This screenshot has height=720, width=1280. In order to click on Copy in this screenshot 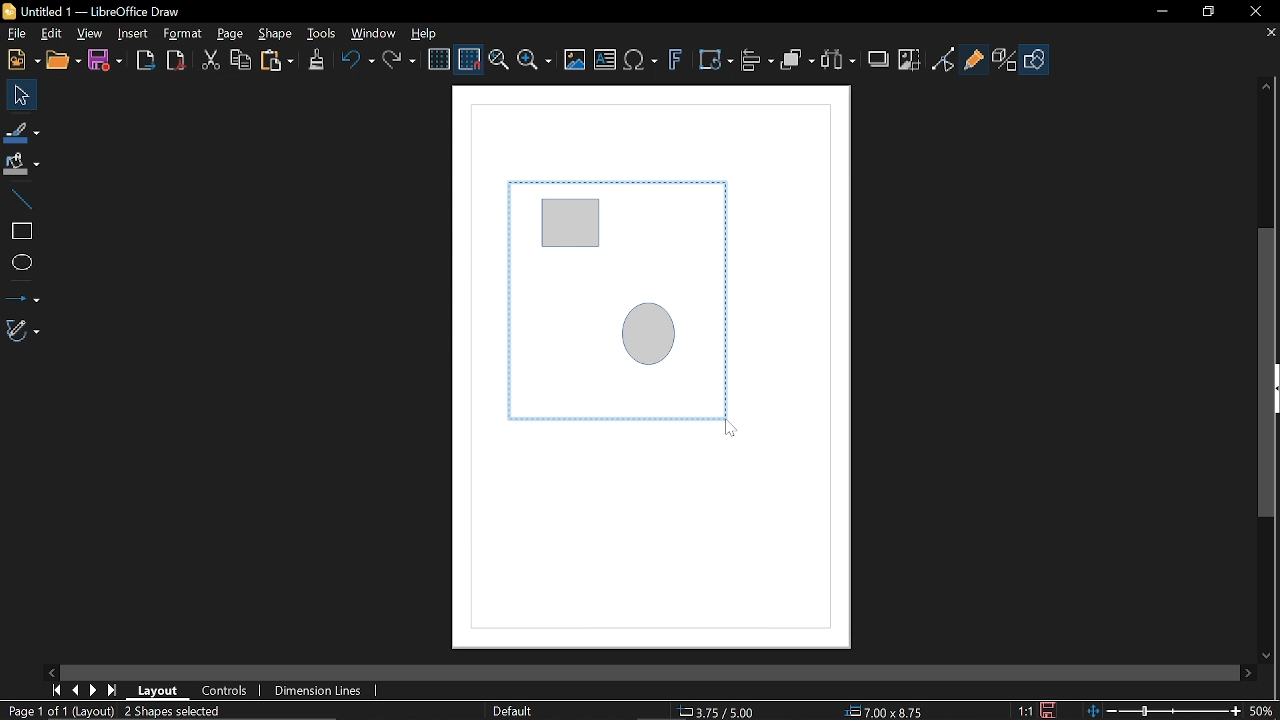, I will do `click(239, 60)`.